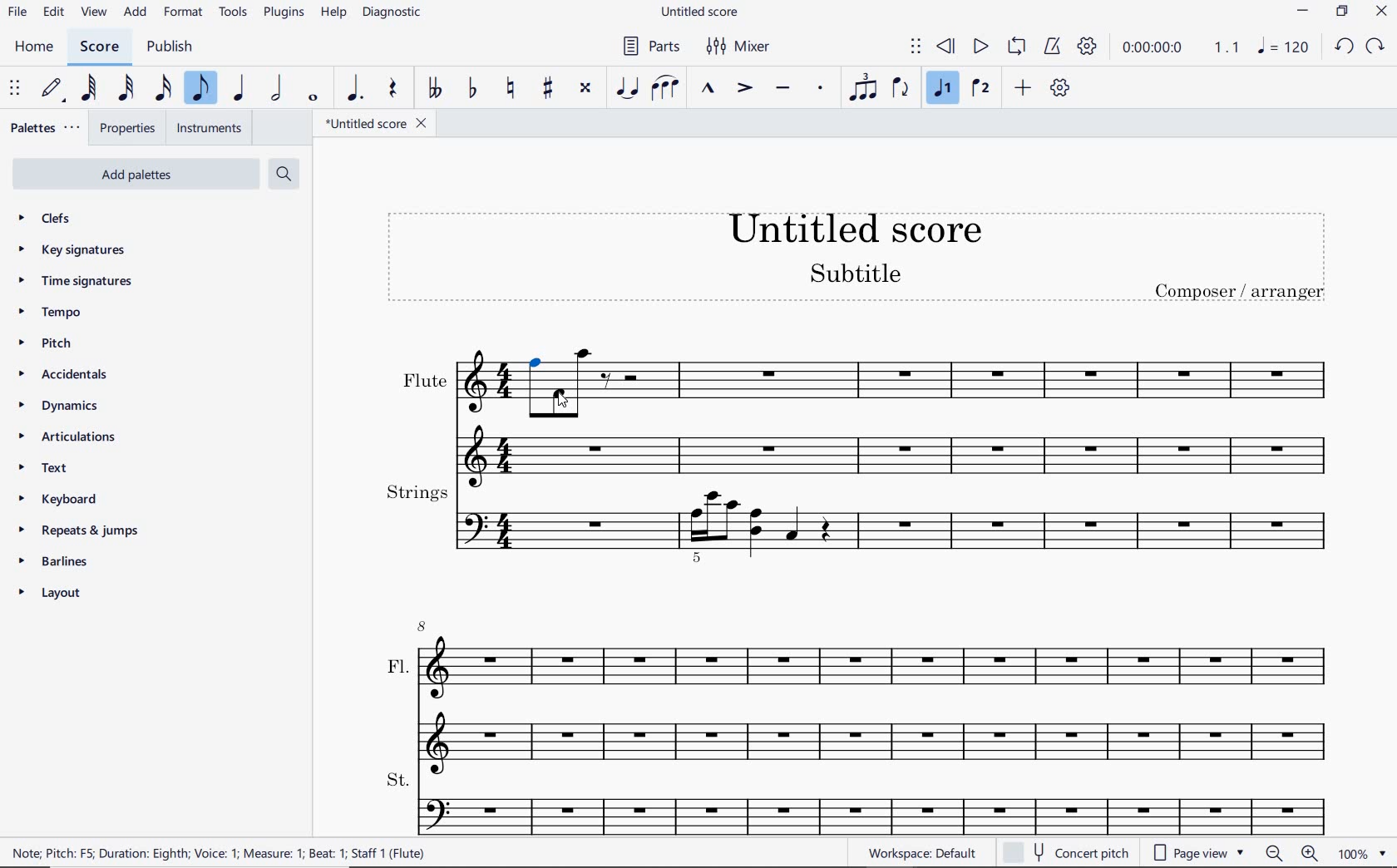 This screenshot has height=868, width=1397. Describe the element at coordinates (355, 89) in the screenshot. I see `AUGMENTATION DOT` at that location.